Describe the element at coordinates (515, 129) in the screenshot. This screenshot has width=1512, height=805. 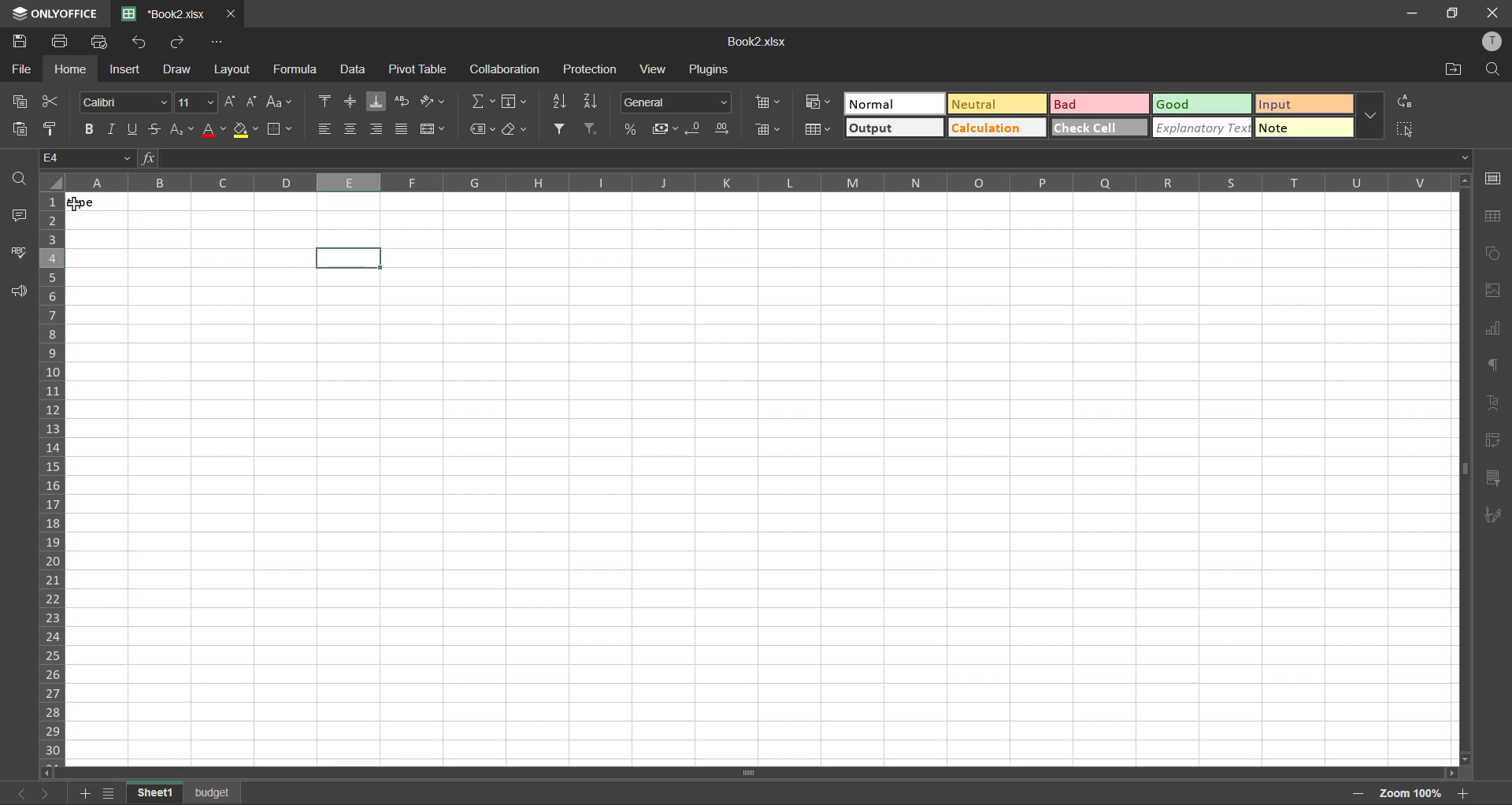
I see `clear` at that location.